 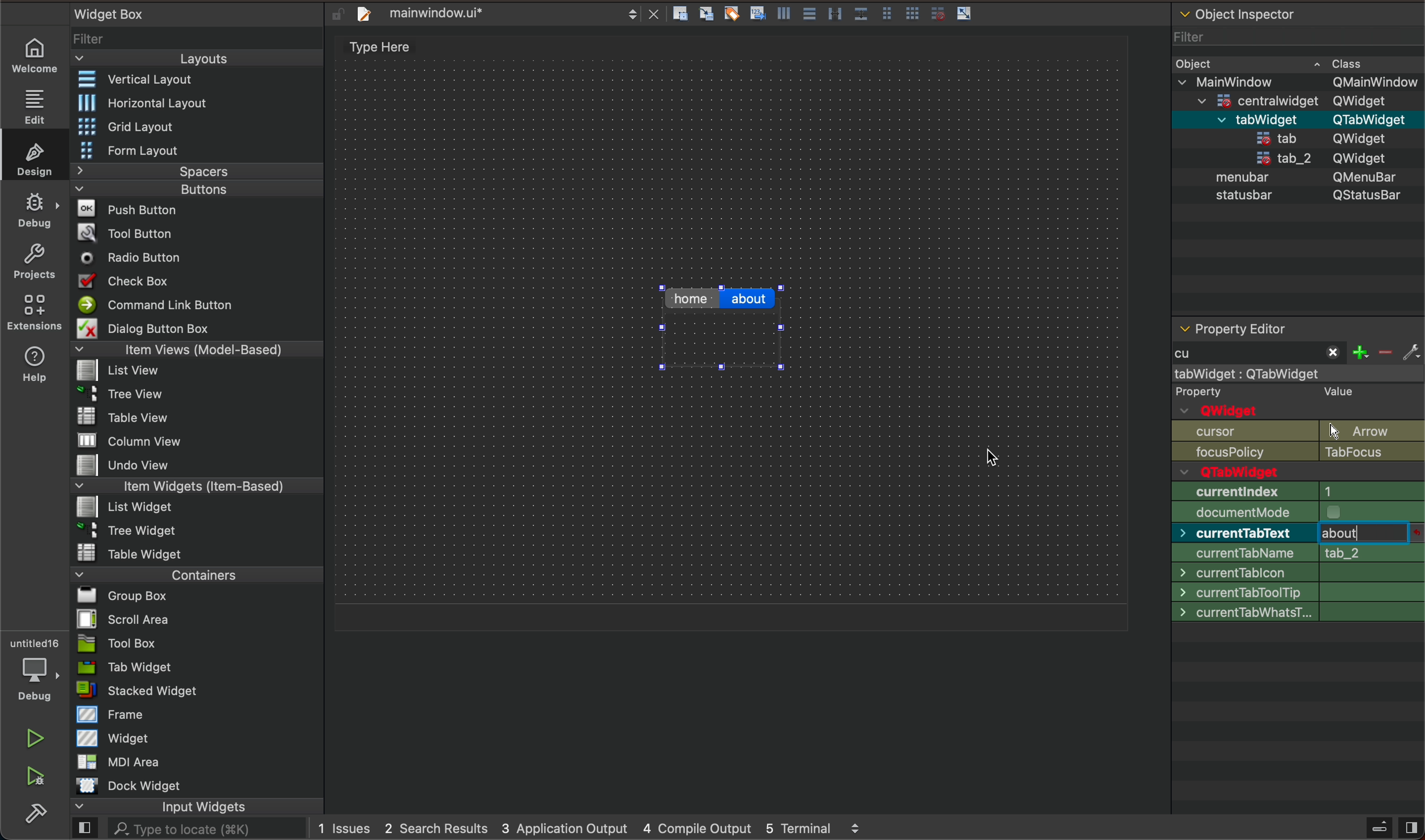 I want to click on Vertical Layout, so click(x=132, y=78).